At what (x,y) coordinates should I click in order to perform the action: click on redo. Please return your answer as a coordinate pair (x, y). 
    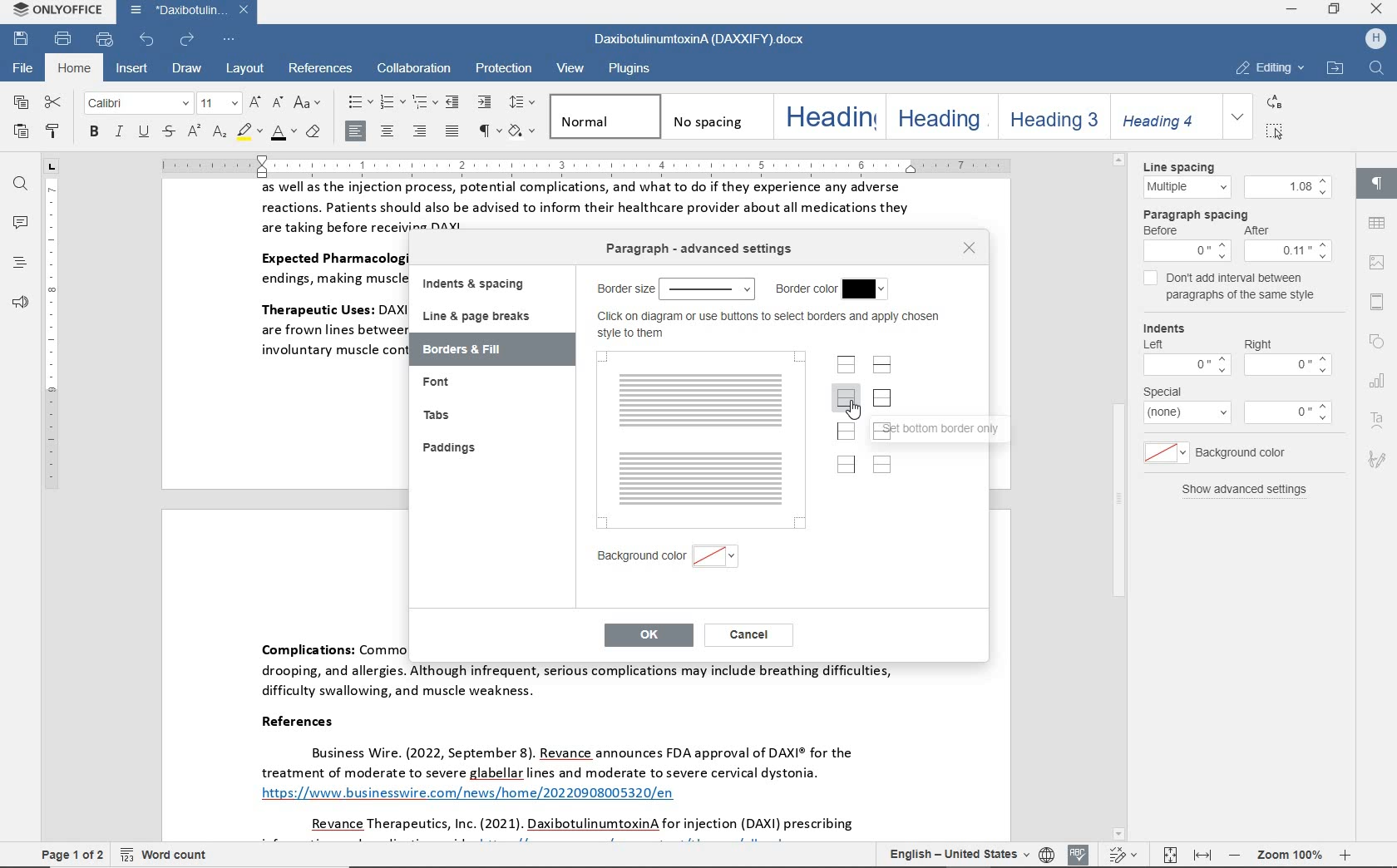
    Looking at the image, I should click on (186, 40).